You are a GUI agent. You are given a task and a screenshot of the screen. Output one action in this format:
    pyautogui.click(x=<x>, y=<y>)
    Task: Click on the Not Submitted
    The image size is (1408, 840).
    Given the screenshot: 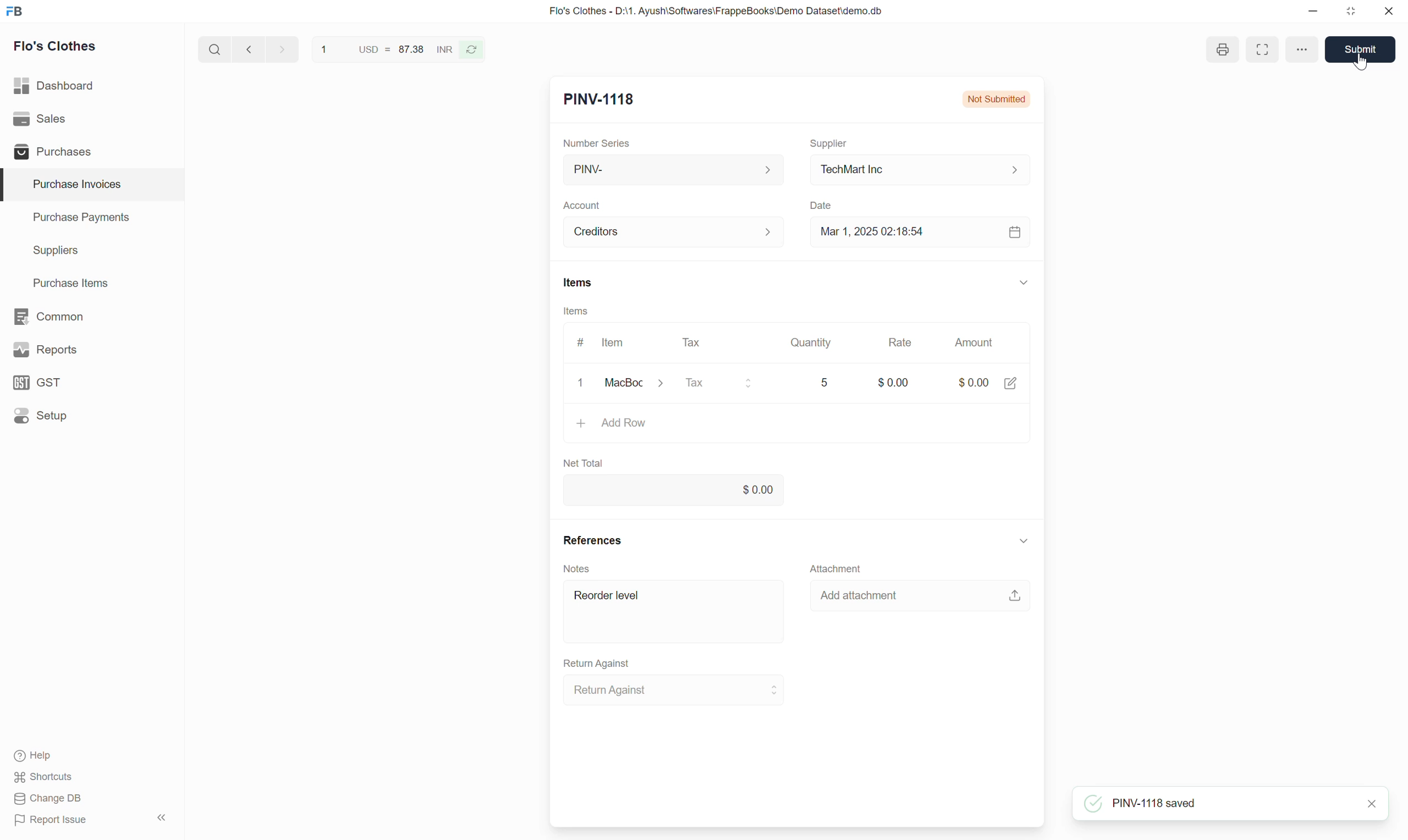 What is the action you would take?
    pyautogui.click(x=995, y=98)
    